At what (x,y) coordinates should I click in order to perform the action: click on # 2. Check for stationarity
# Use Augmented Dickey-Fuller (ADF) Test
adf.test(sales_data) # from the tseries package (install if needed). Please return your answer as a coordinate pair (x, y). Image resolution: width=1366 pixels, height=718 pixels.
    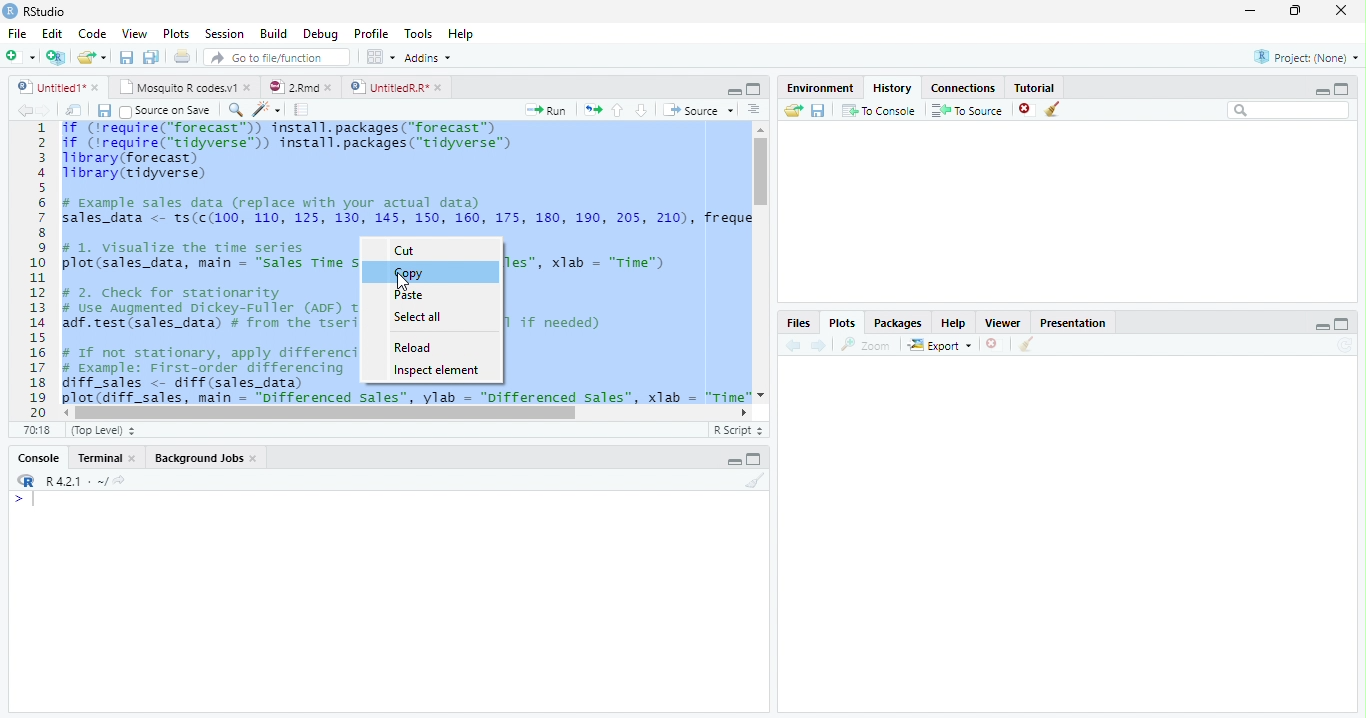
    Looking at the image, I should click on (207, 309).